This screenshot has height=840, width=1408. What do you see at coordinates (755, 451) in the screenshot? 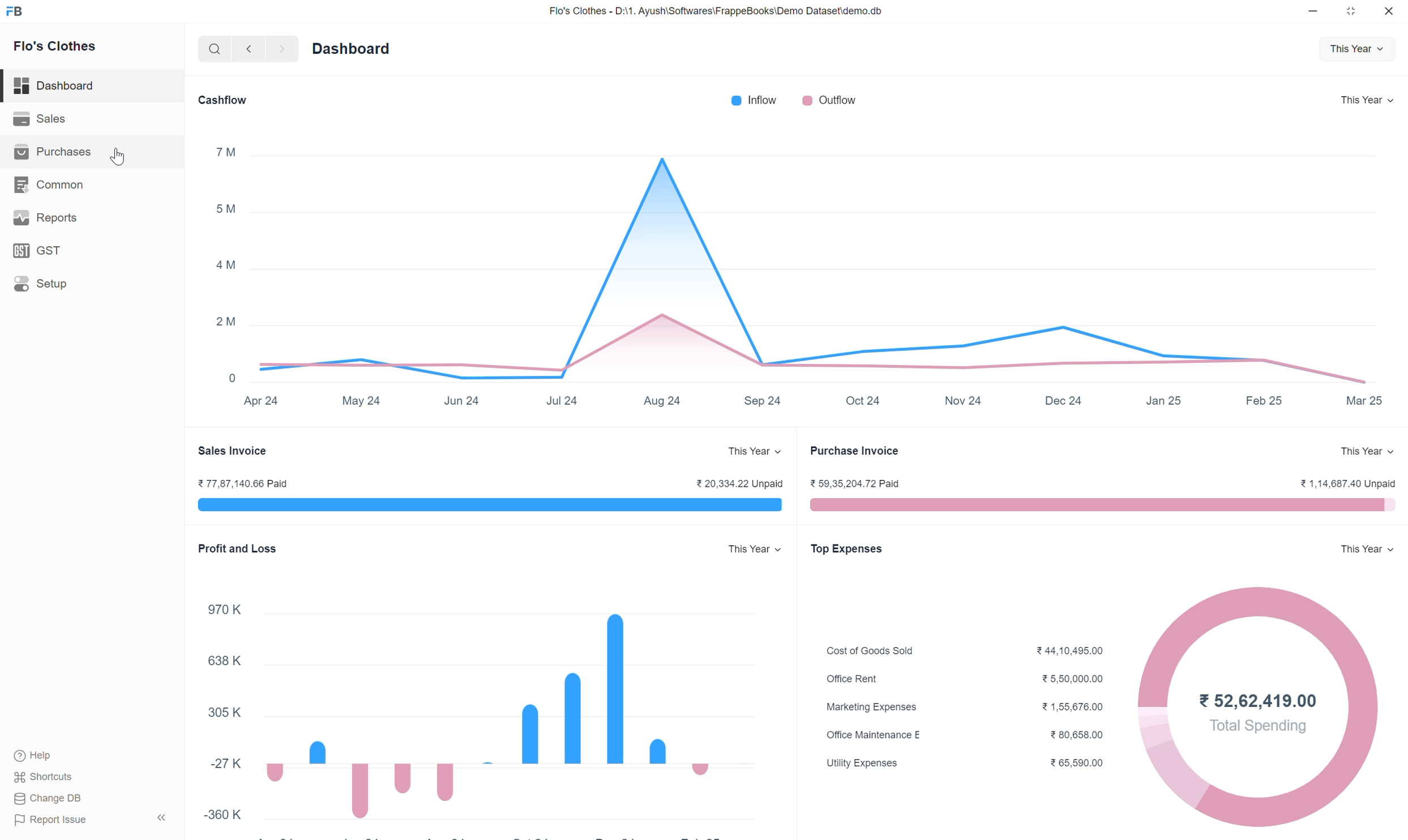
I see `This Year` at bounding box center [755, 451].